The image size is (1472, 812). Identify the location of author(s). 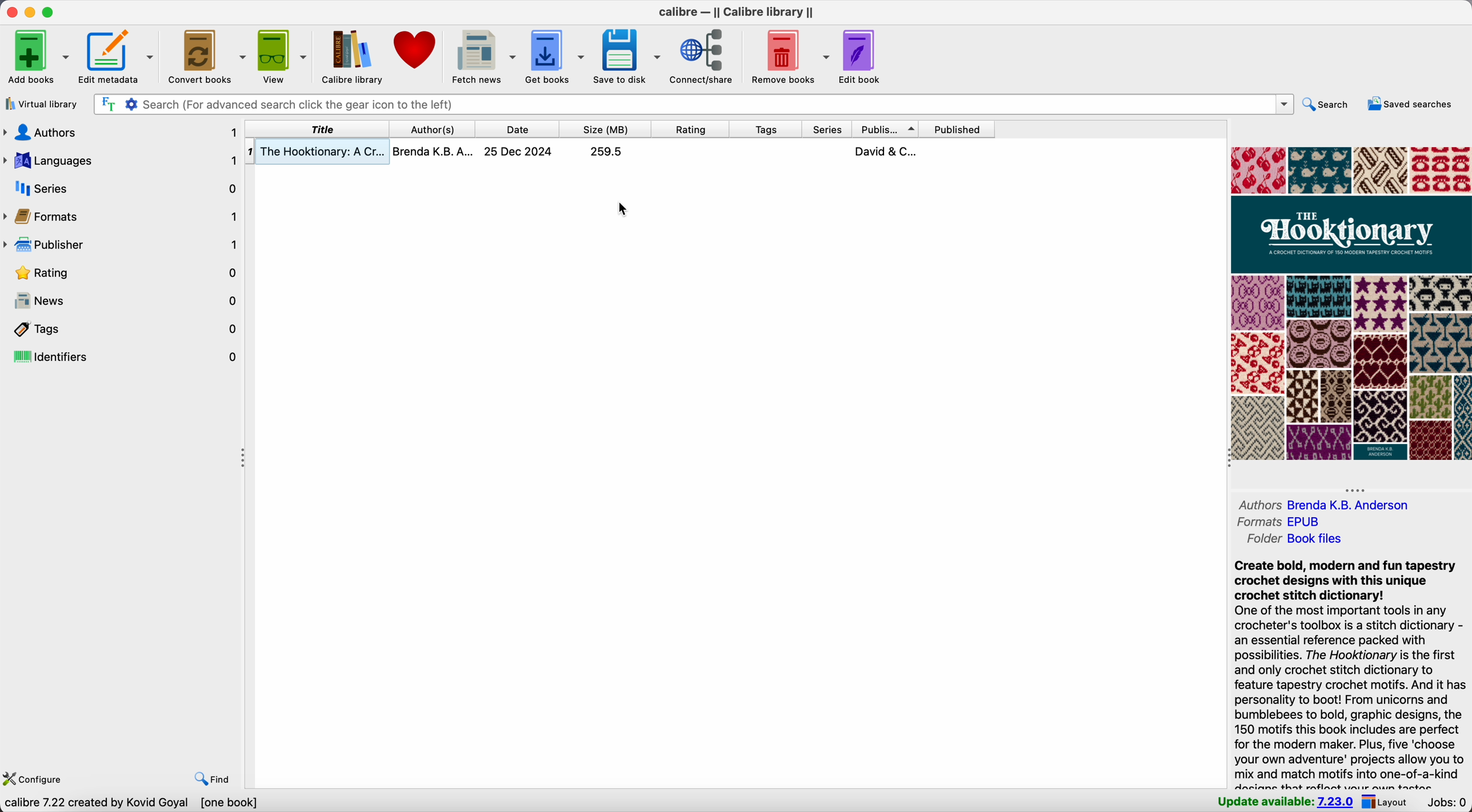
(1399, 432).